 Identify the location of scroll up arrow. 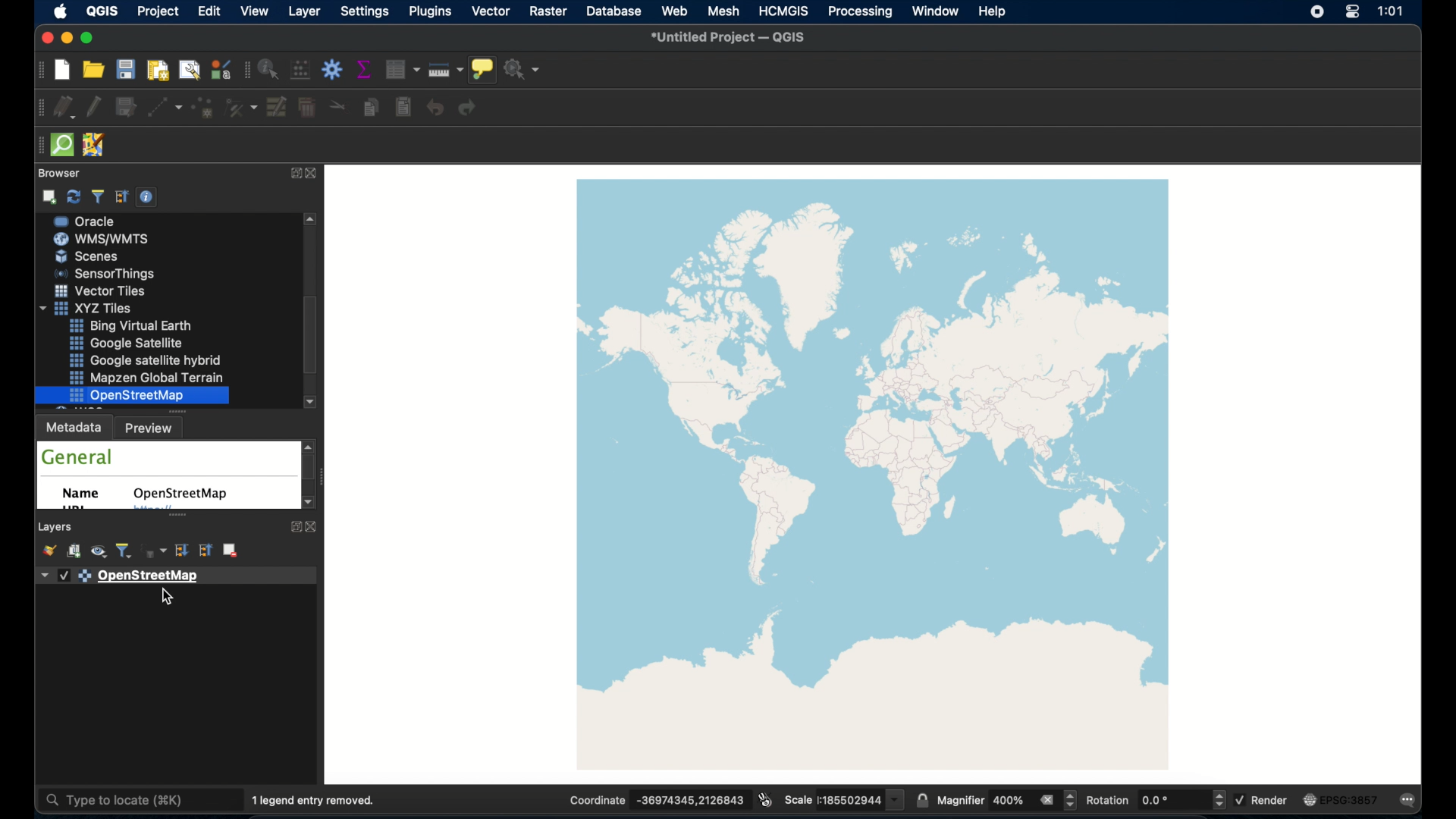
(311, 220).